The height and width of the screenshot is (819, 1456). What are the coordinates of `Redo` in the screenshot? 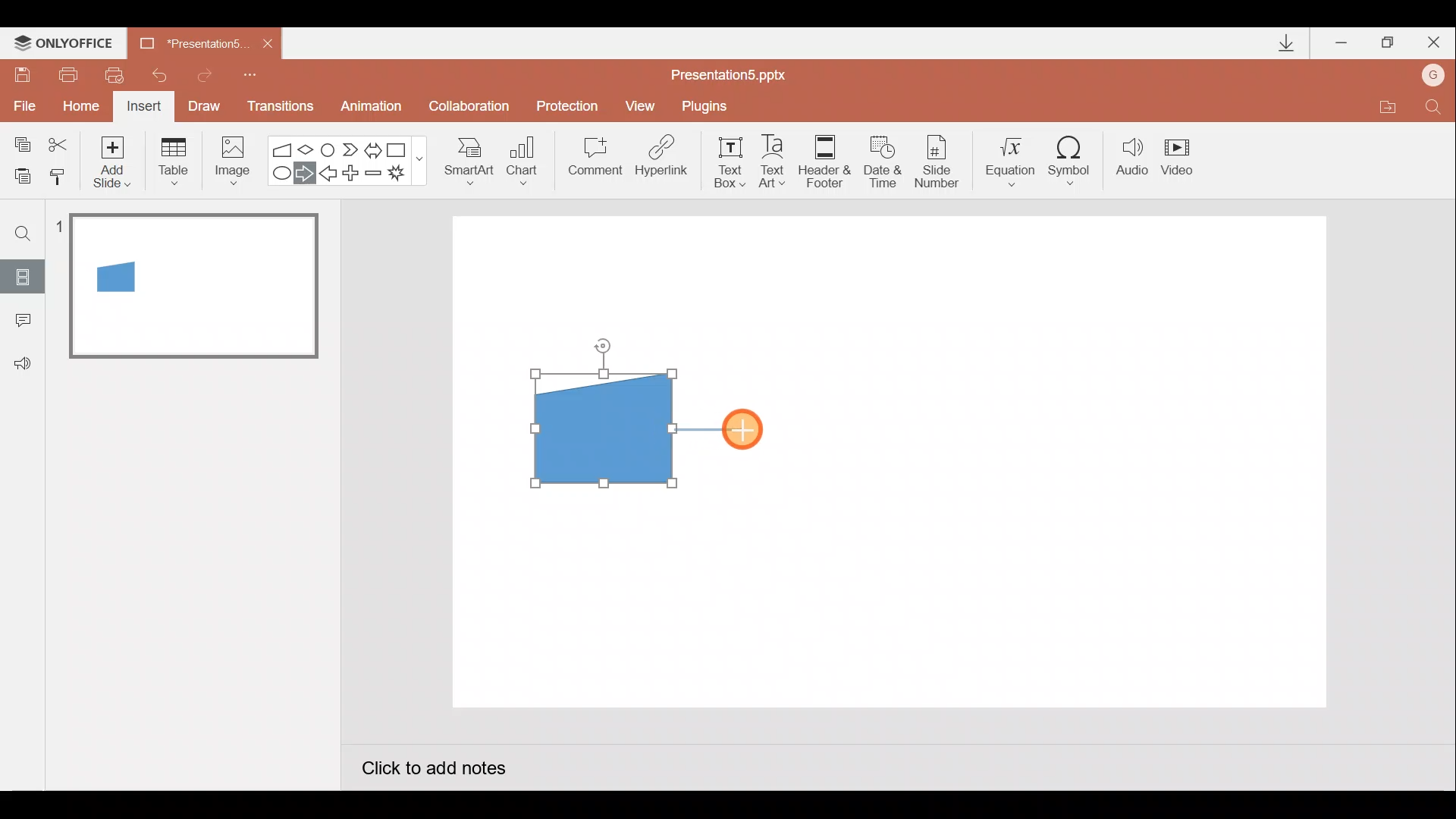 It's located at (206, 73).